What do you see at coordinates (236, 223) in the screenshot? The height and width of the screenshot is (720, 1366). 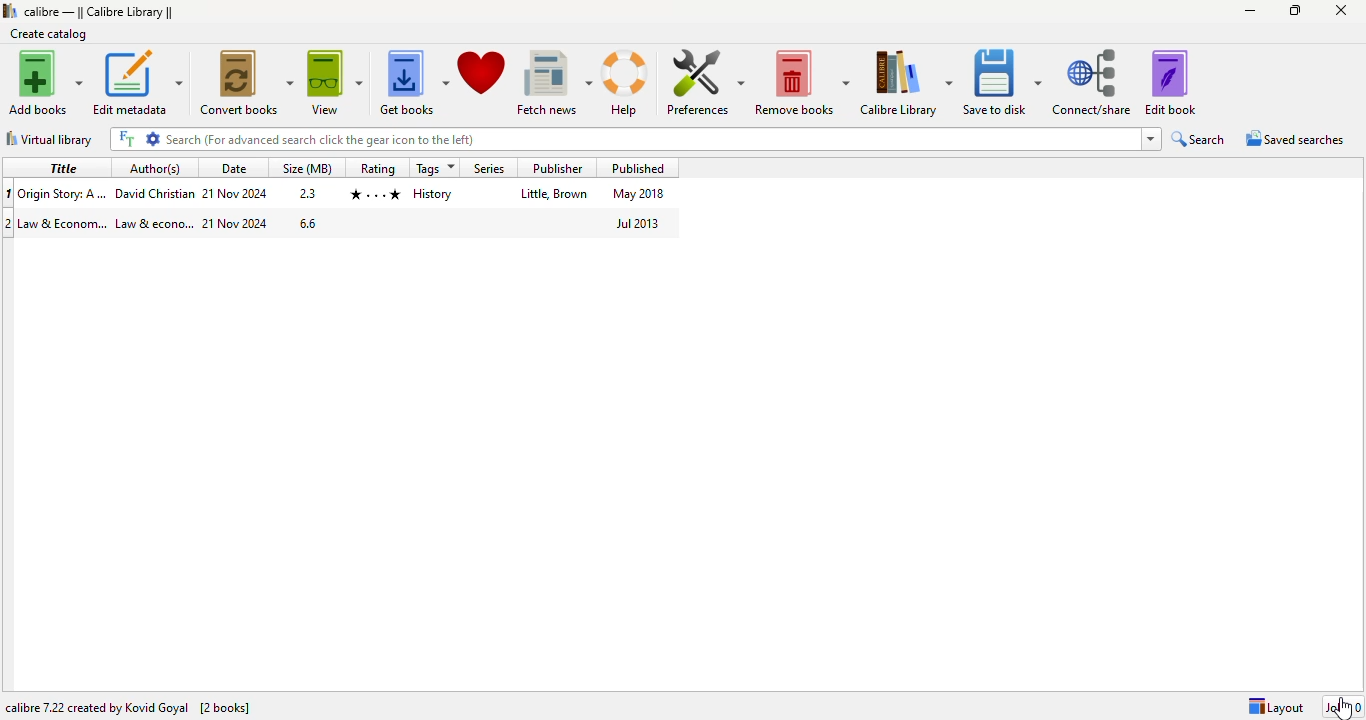 I see `date` at bounding box center [236, 223].